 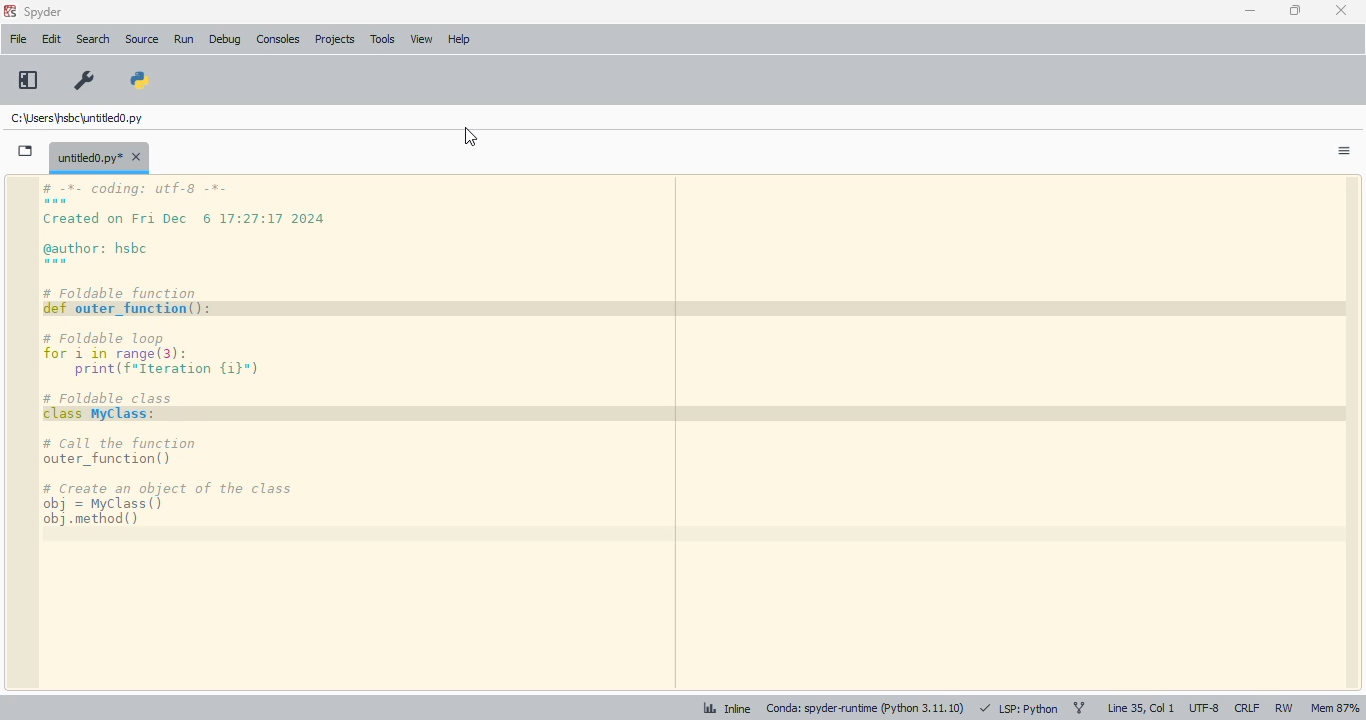 What do you see at coordinates (18, 38) in the screenshot?
I see `file` at bounding box center [18, 38].